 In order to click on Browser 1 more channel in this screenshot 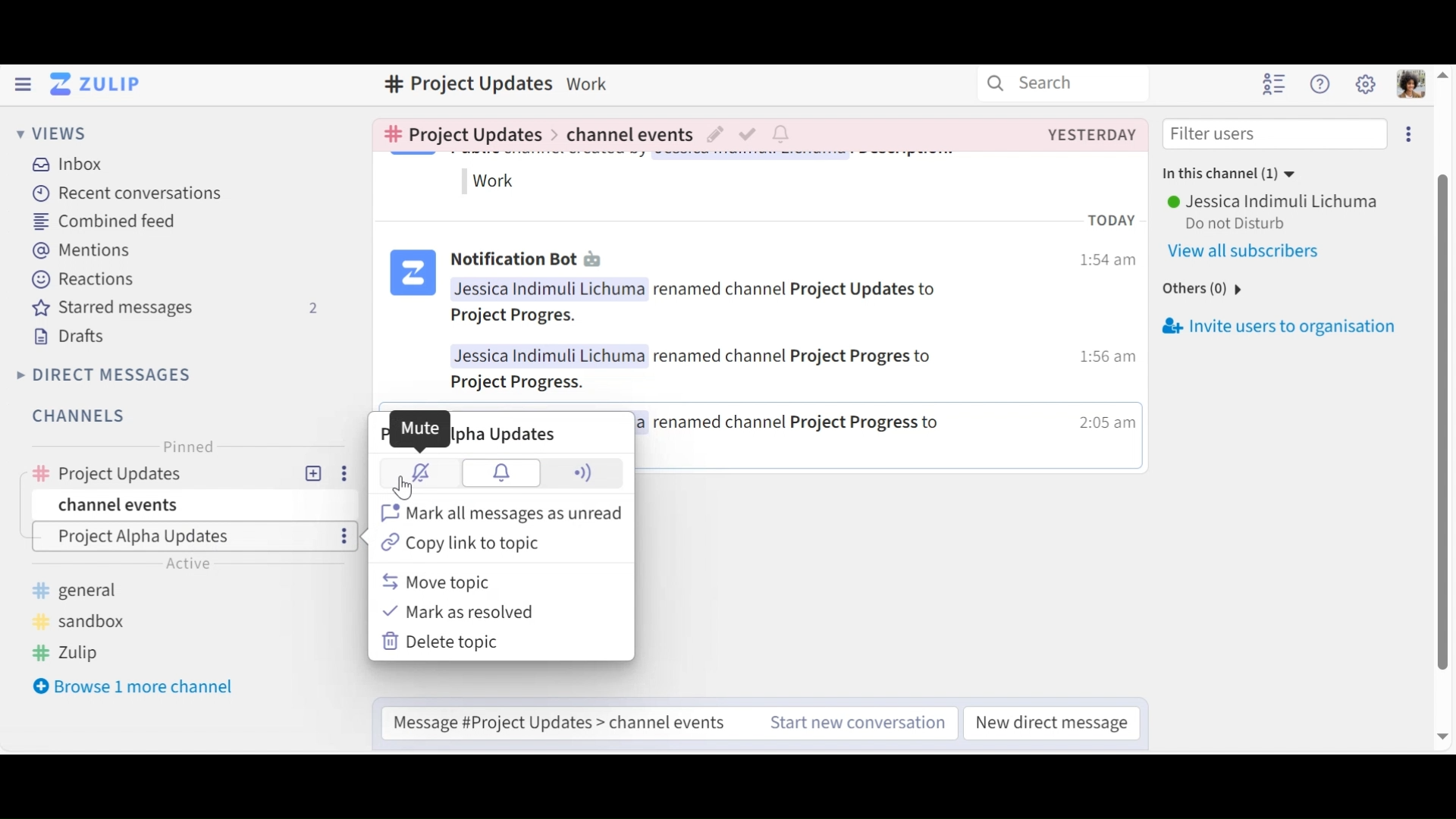, I will do `click(133, 686)`.